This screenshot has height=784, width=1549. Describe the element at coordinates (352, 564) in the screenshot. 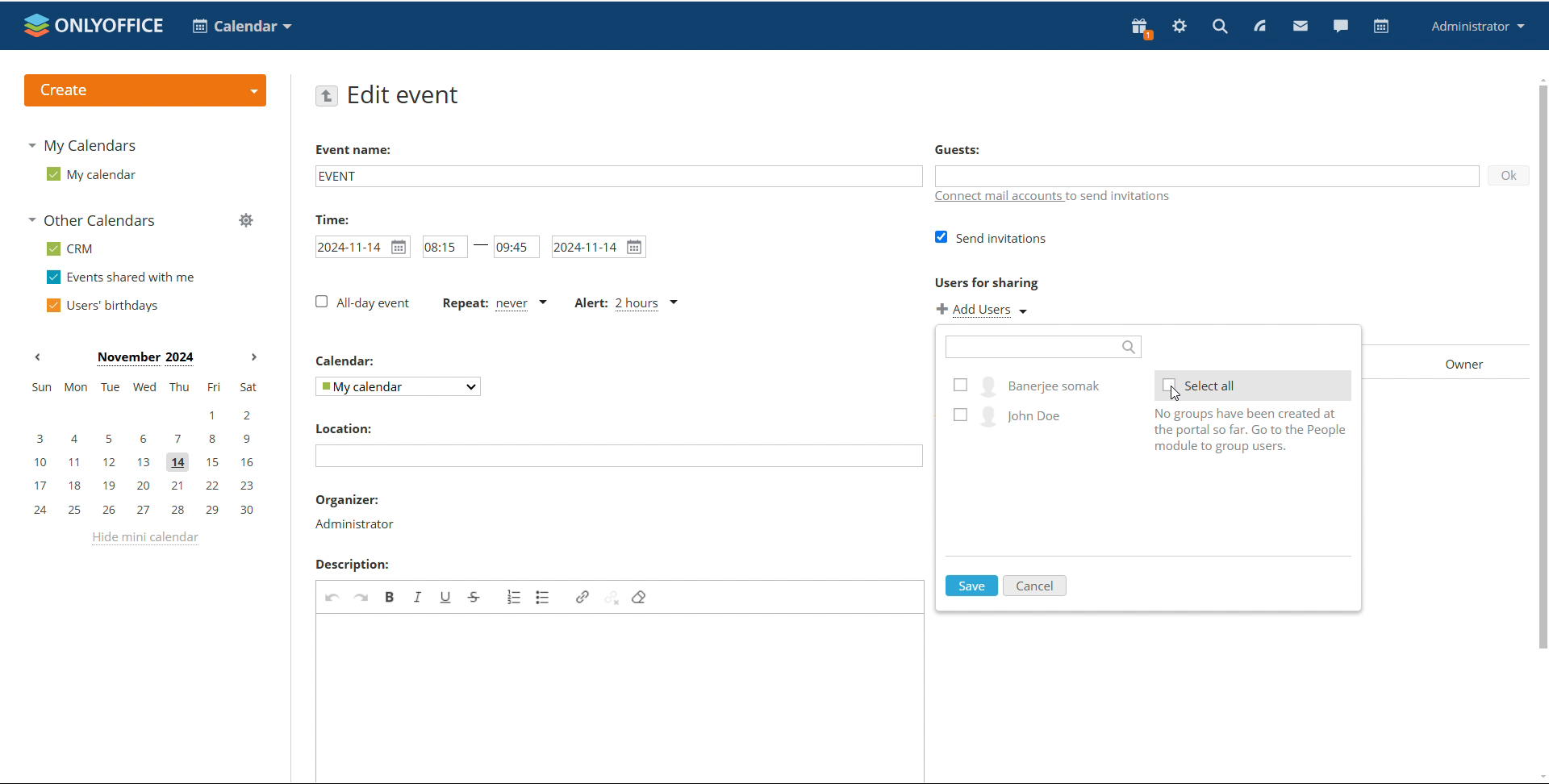

I see `Description` at that location.